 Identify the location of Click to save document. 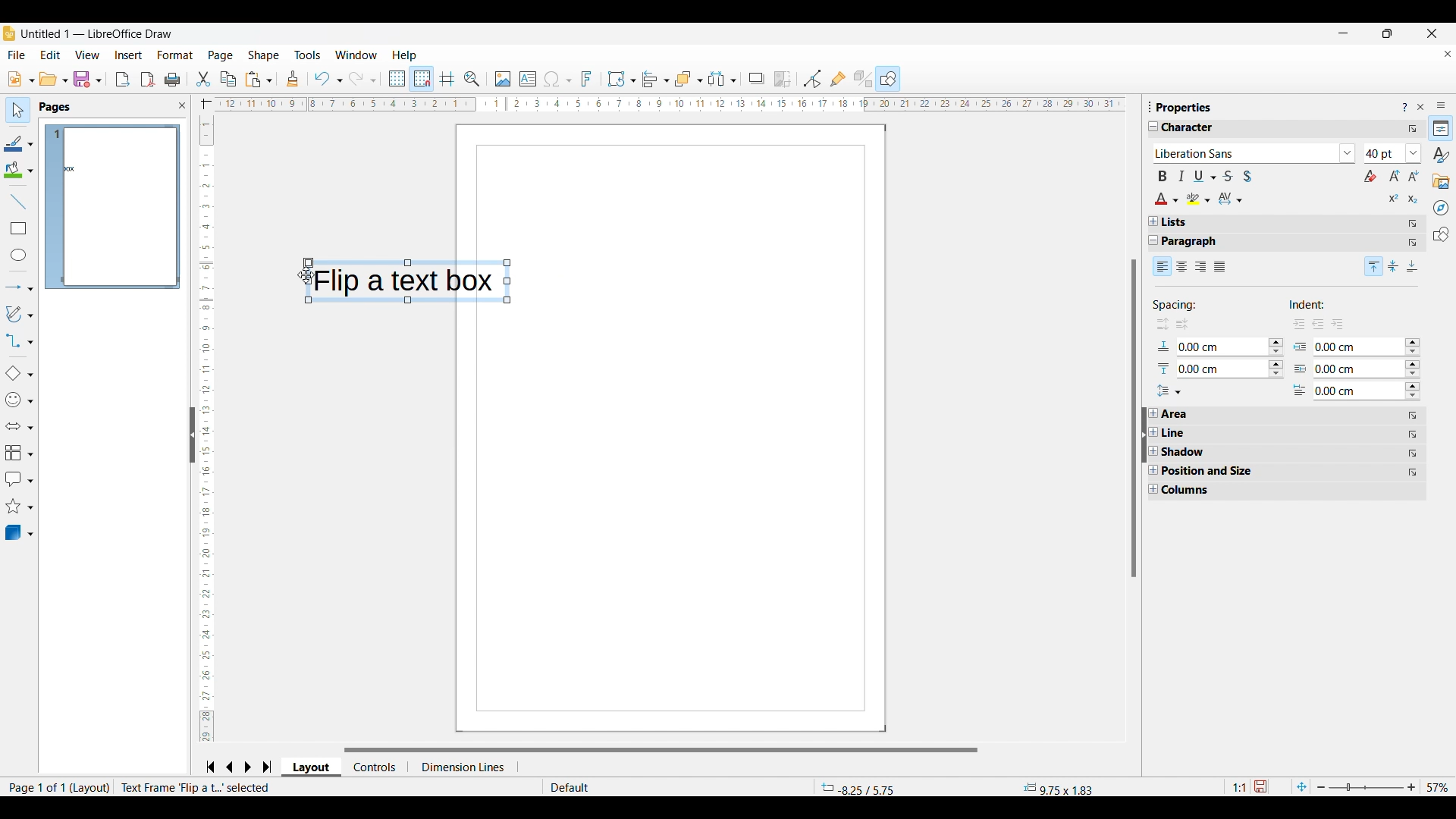
(1260, 786).